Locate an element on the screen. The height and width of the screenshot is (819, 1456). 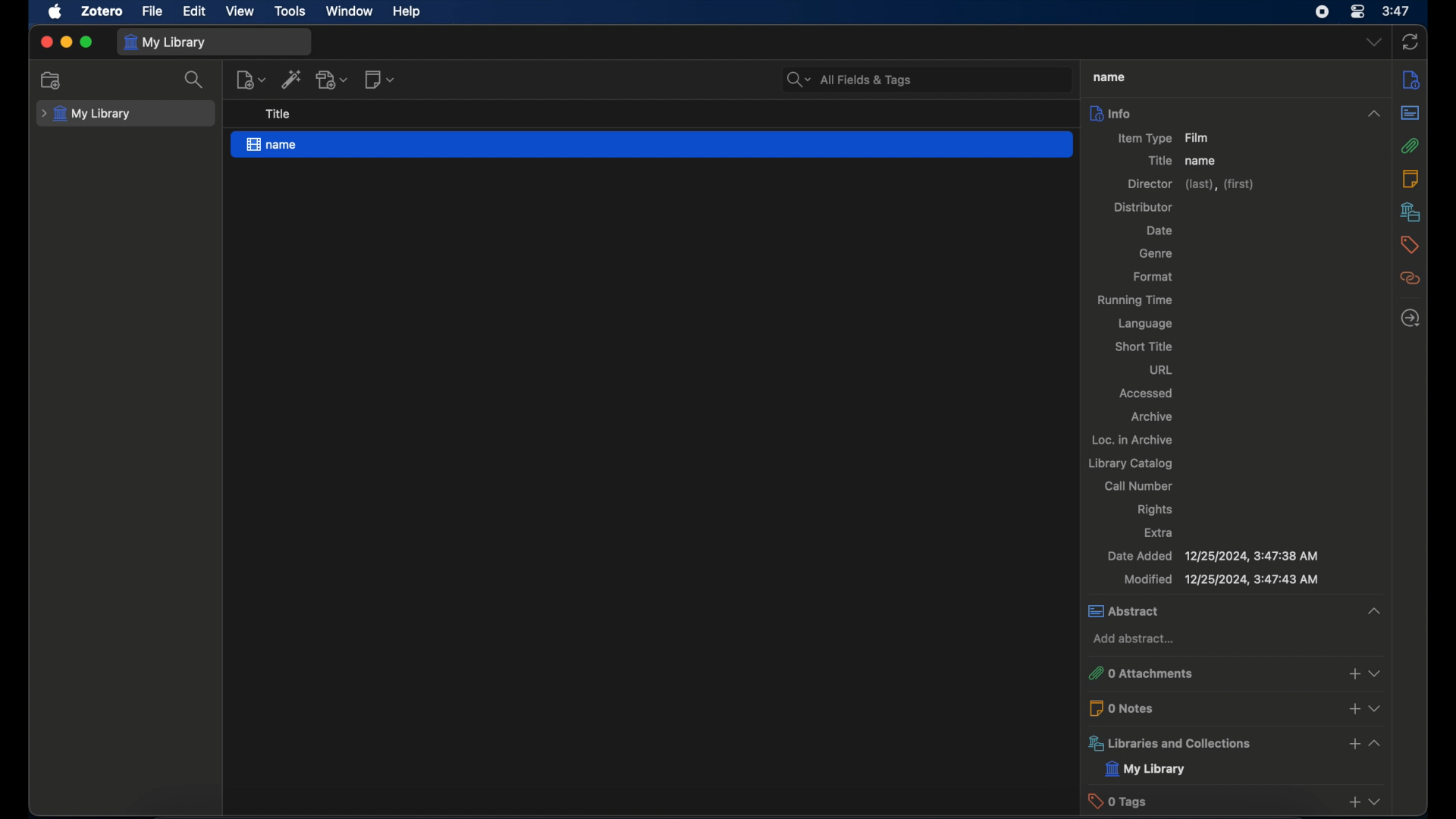
my library is located at coordinates (86, 114).